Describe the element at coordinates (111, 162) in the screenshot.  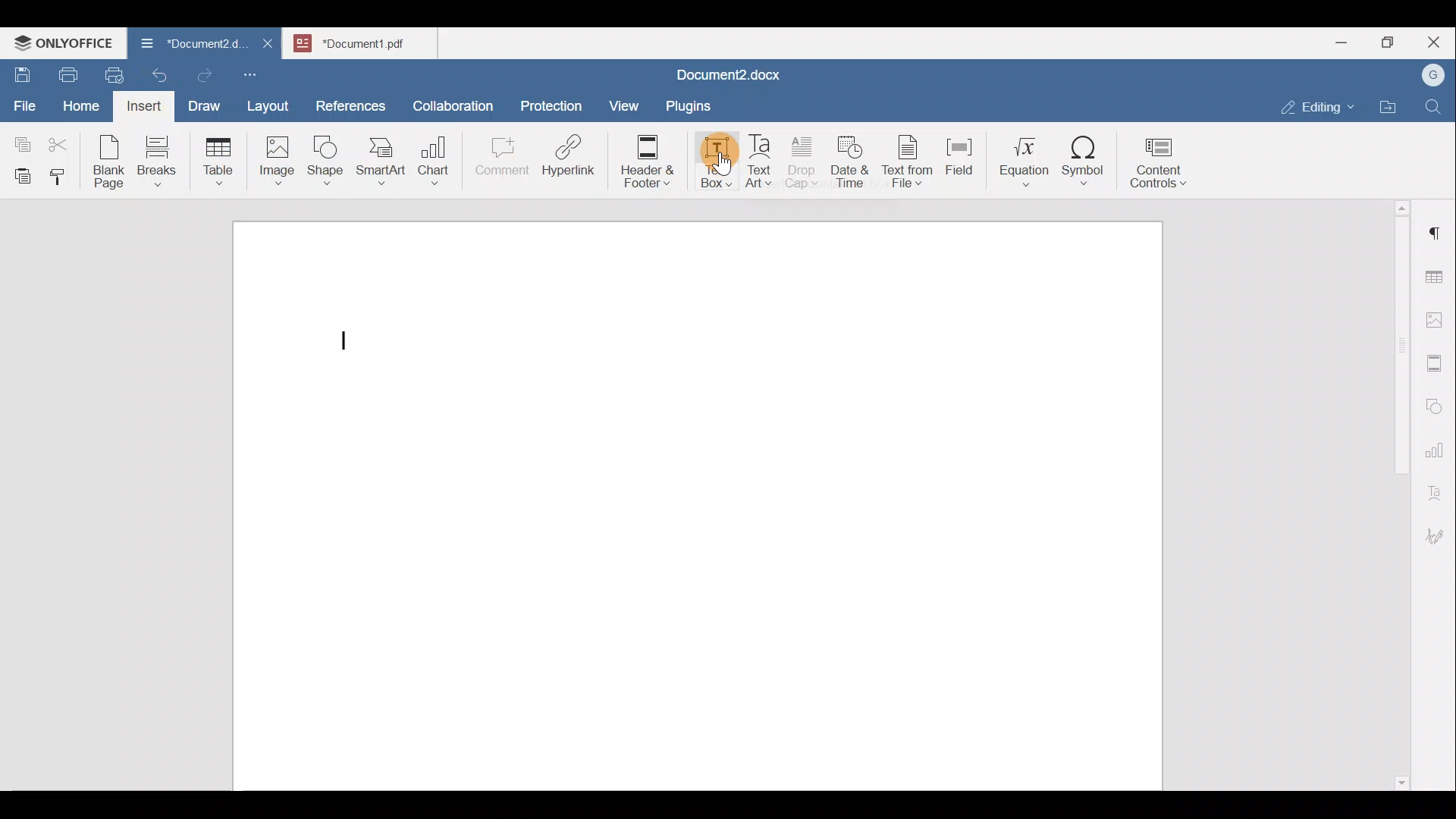
I see `Blank page` at that location.